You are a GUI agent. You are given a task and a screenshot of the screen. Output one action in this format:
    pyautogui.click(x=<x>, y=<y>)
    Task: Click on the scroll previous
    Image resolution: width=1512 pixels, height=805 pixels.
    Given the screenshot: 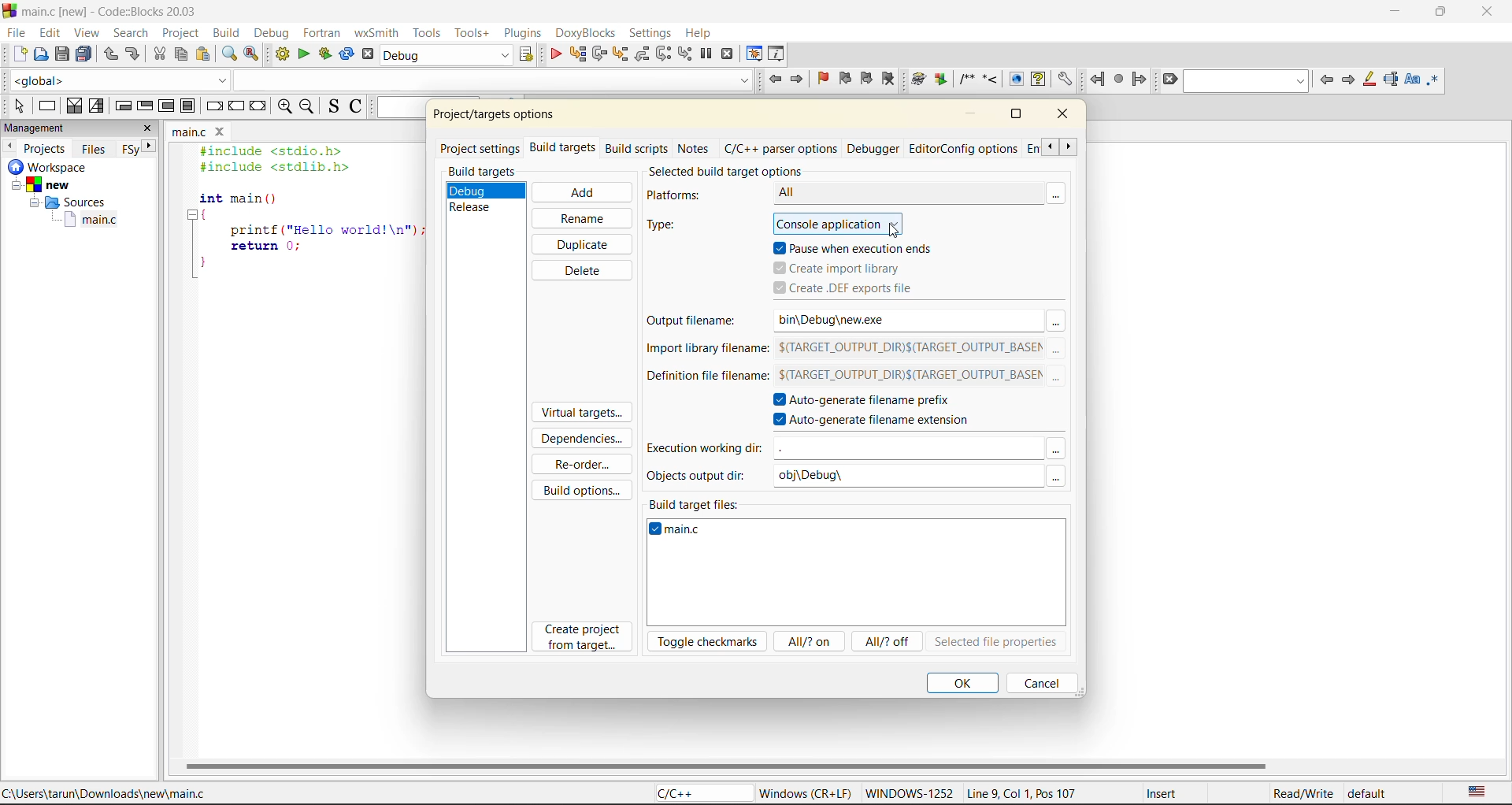 What is the action you would take?
    pyautogui.click(x=1050, y=145)
    